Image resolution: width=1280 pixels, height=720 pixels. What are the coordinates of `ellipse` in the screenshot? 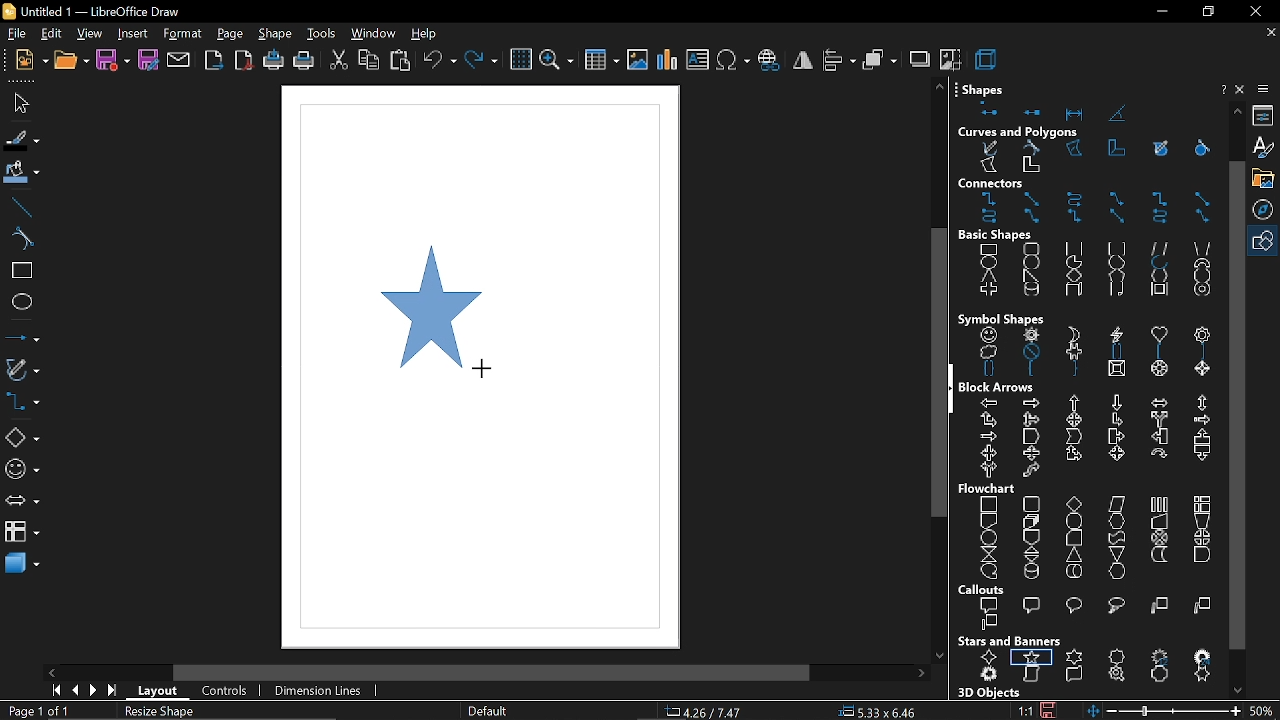 It's located at (21, 305).